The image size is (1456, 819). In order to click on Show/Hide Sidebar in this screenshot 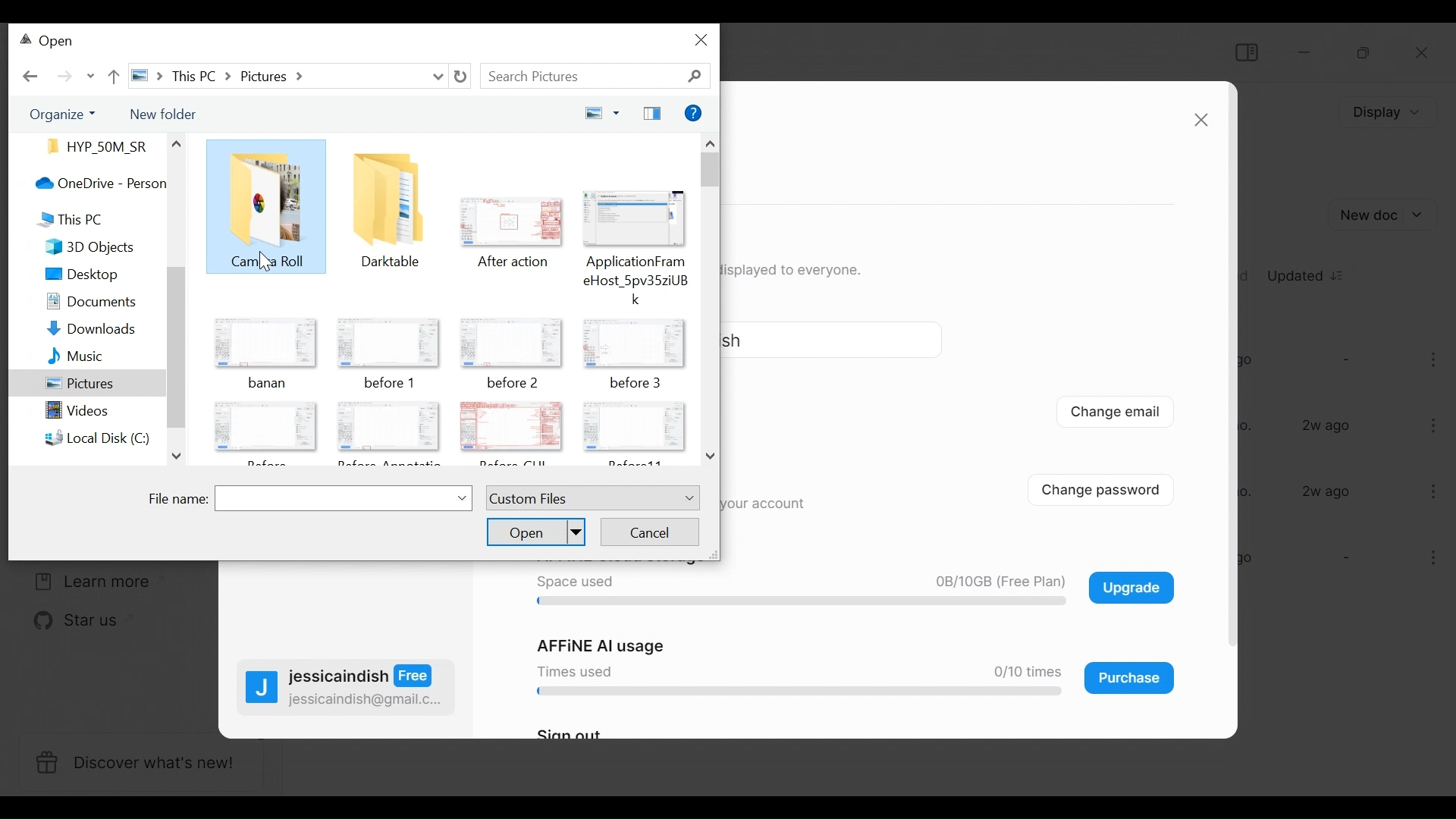, I will do `click(1245, 52)`.